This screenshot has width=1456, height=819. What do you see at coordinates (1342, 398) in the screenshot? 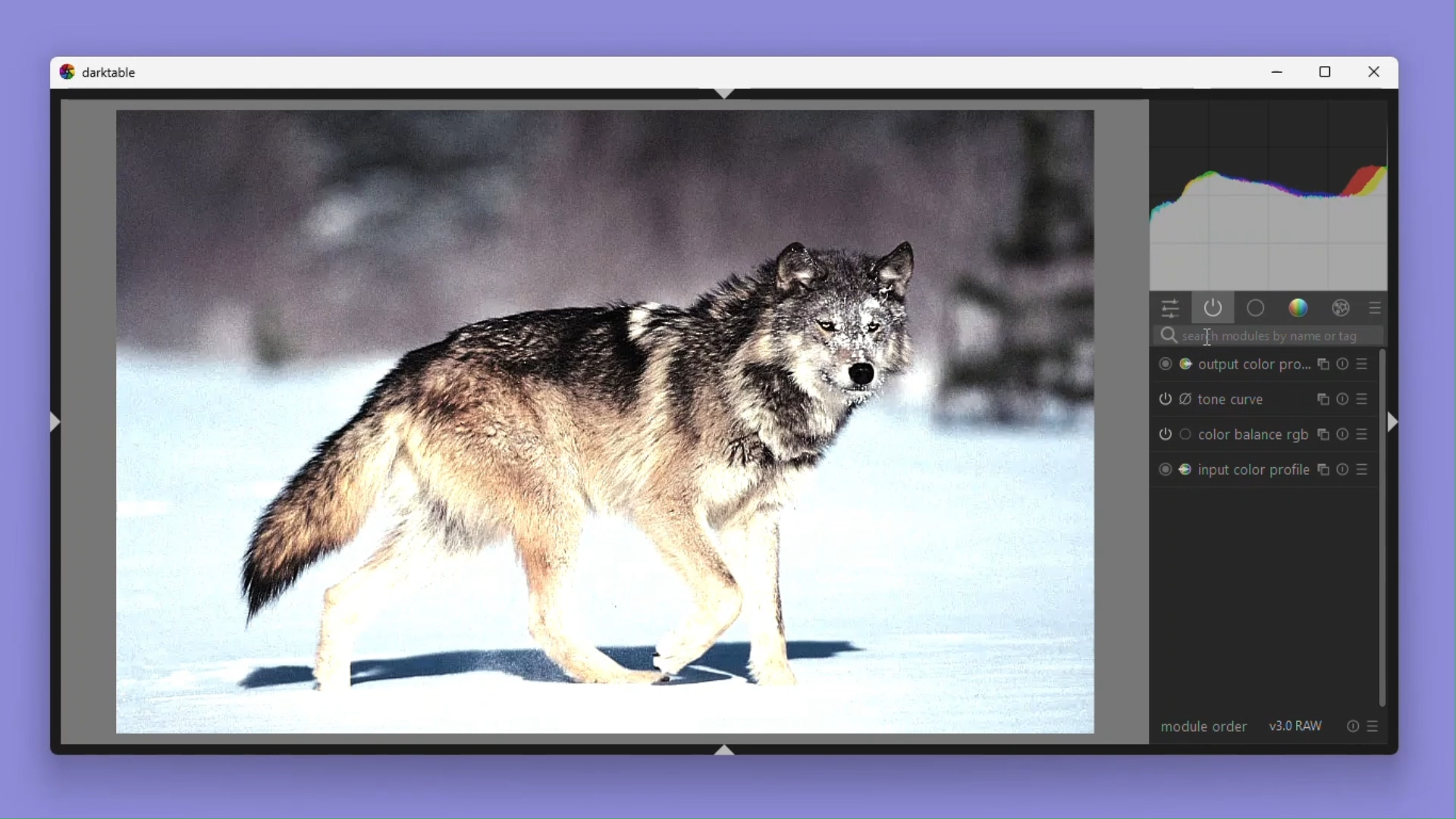
I see `Reset ` at bounding box center [1342, 398].